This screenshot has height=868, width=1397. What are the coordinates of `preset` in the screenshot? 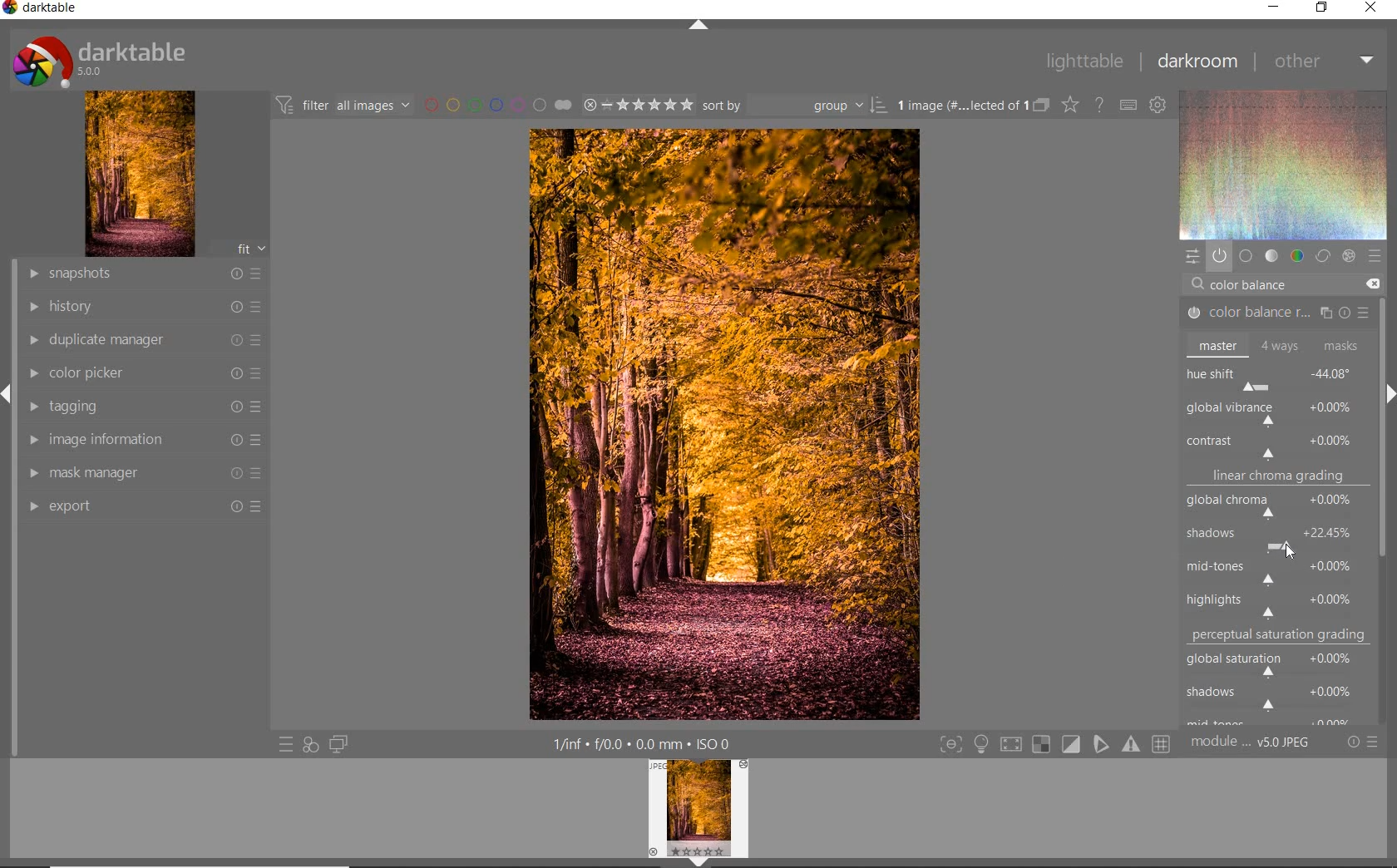 It's located at (1374, 255).